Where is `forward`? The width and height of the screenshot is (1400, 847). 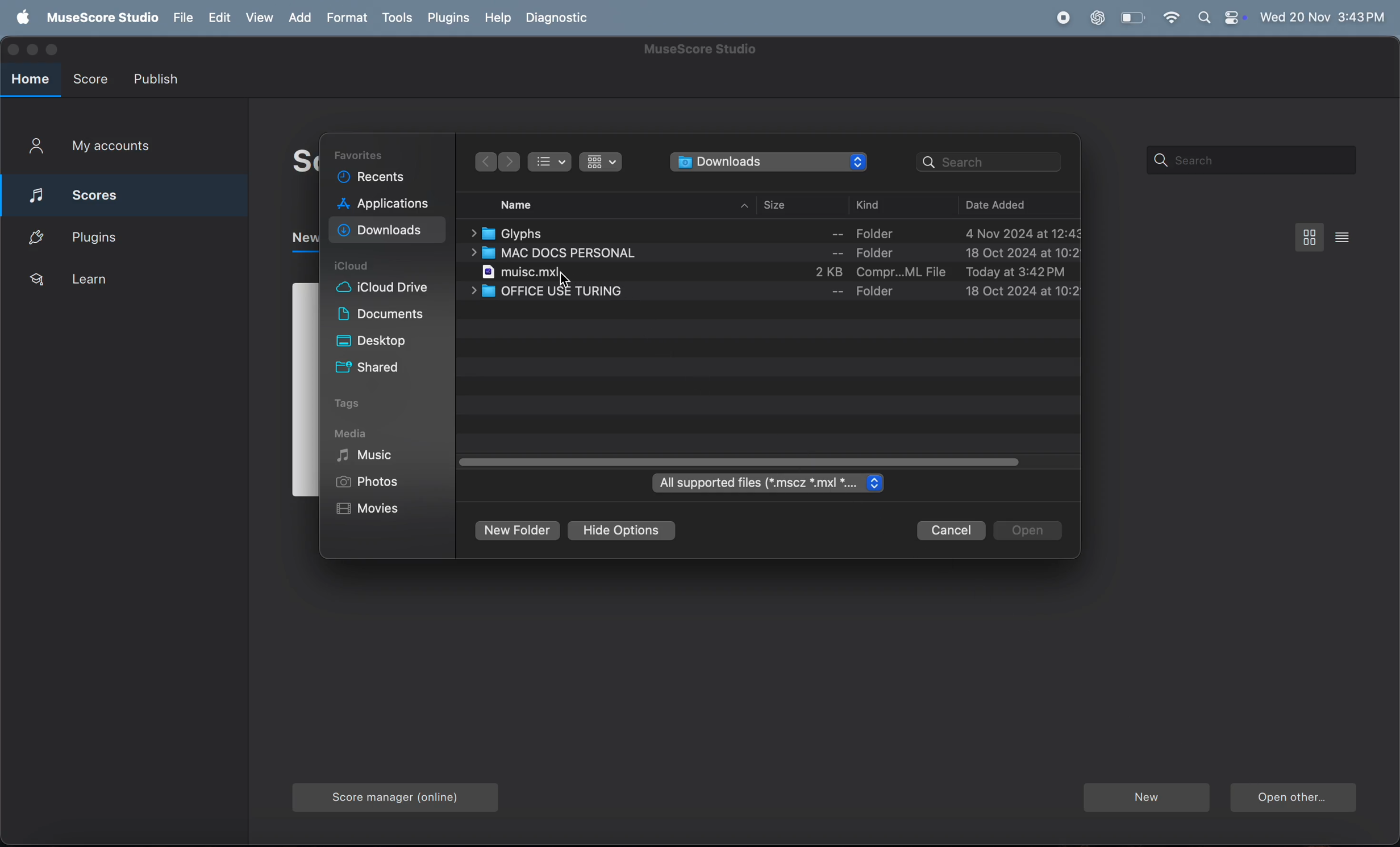 forward is located at coordinates (484, 161).